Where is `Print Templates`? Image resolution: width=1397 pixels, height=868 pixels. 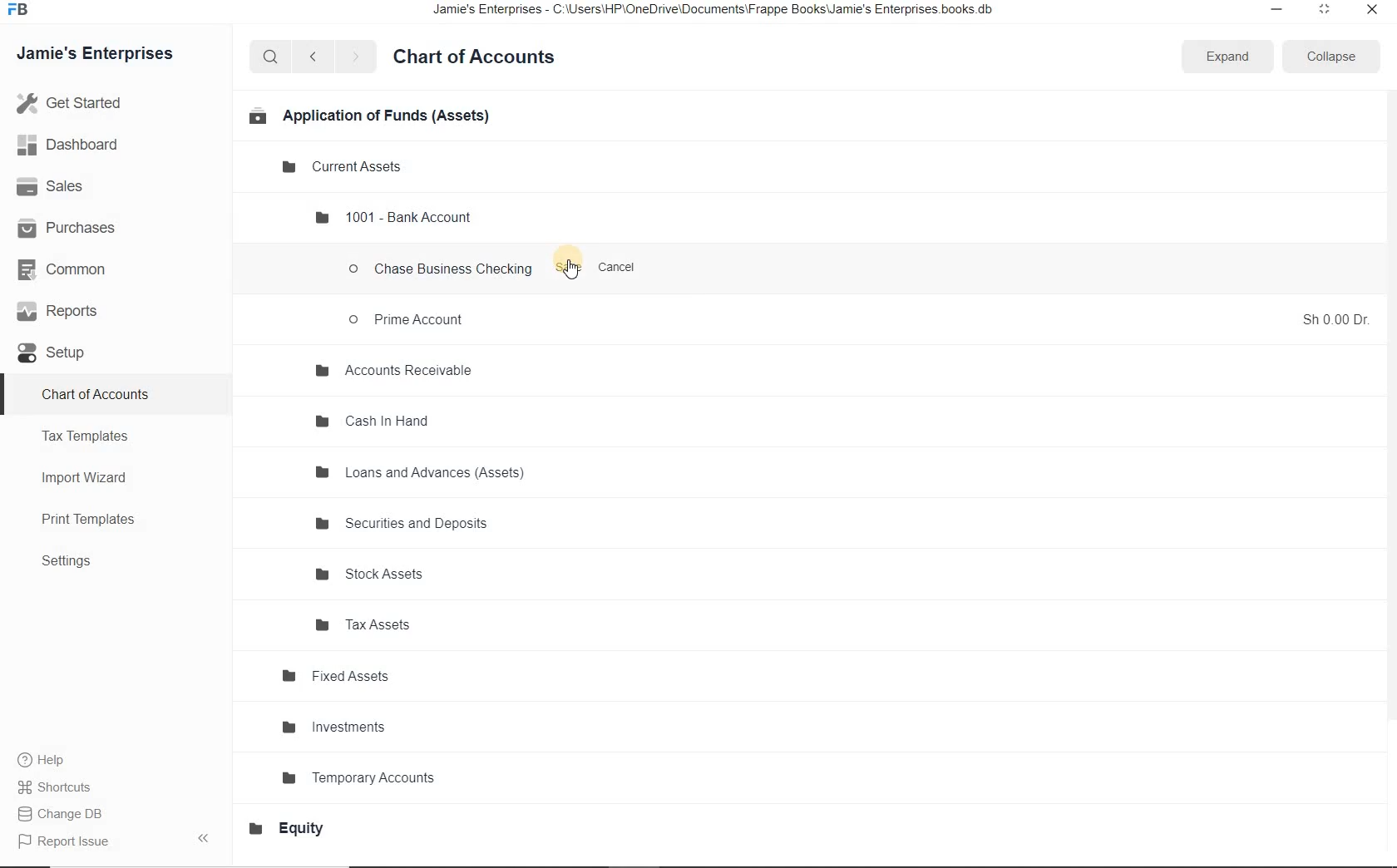 Print Templates is located at coordinates (97, 520).